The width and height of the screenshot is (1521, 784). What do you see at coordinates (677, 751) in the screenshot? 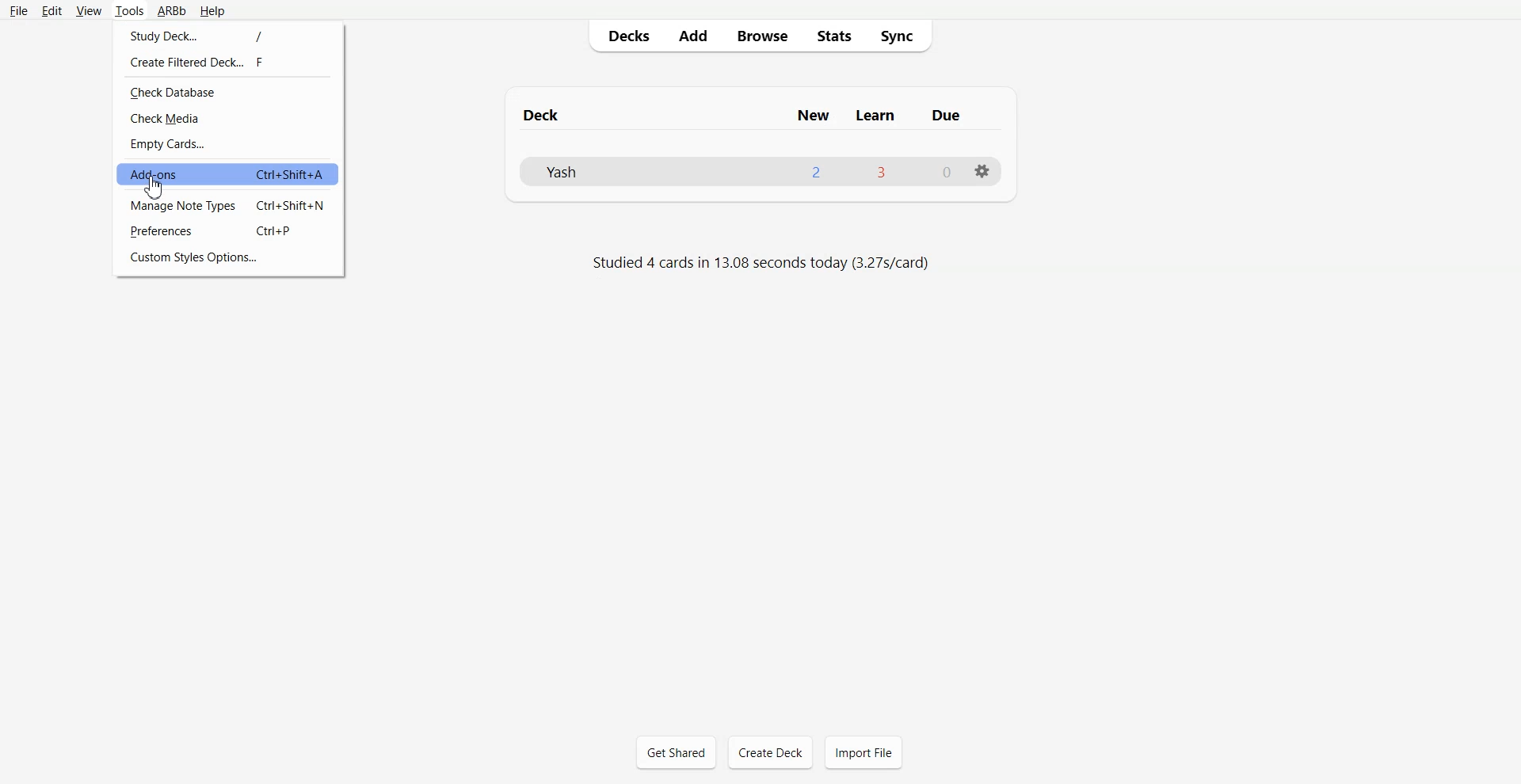
I see `Get Shared` at bounding box center [677, 751].